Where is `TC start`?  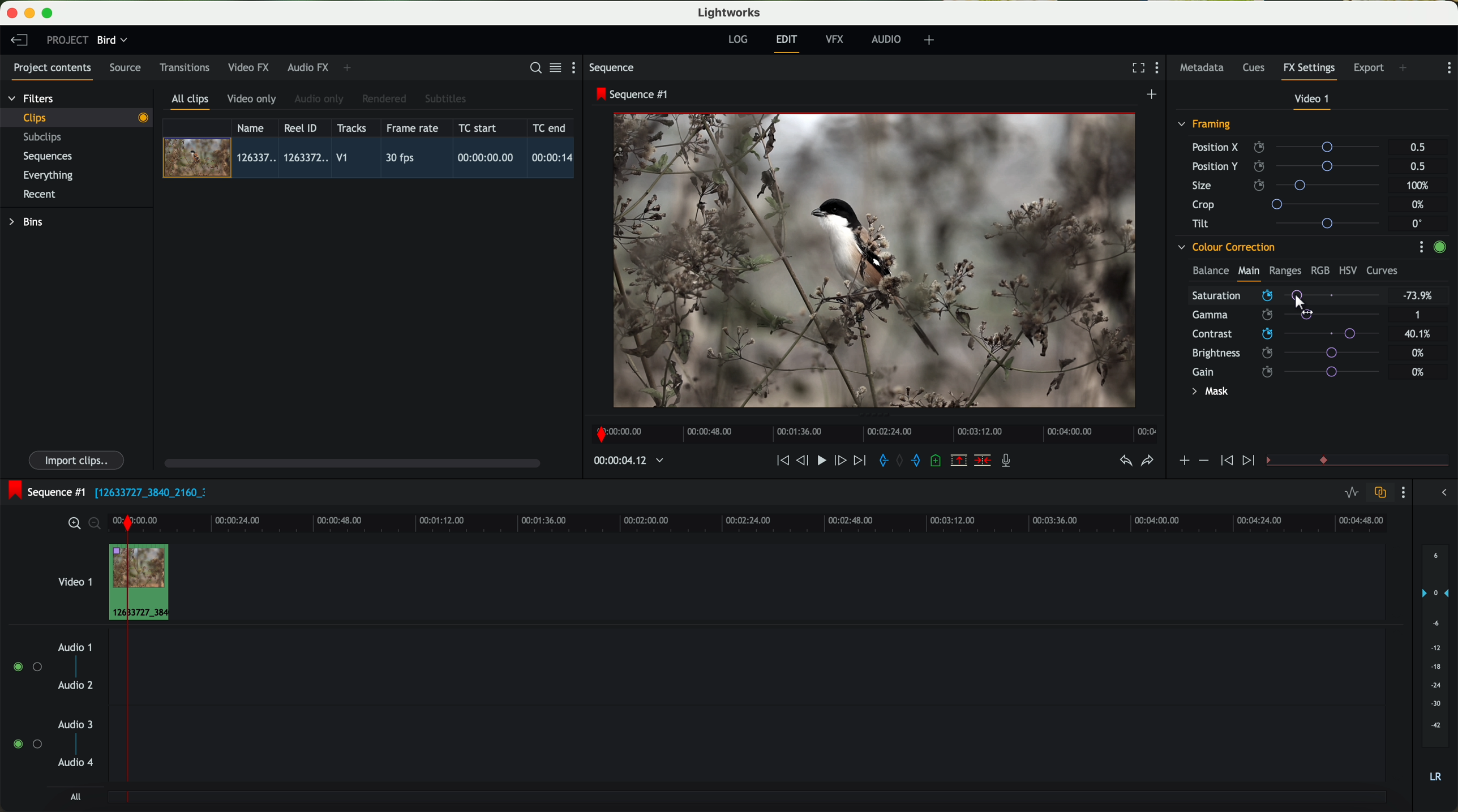
TC start is located at coordinates (479, 127).